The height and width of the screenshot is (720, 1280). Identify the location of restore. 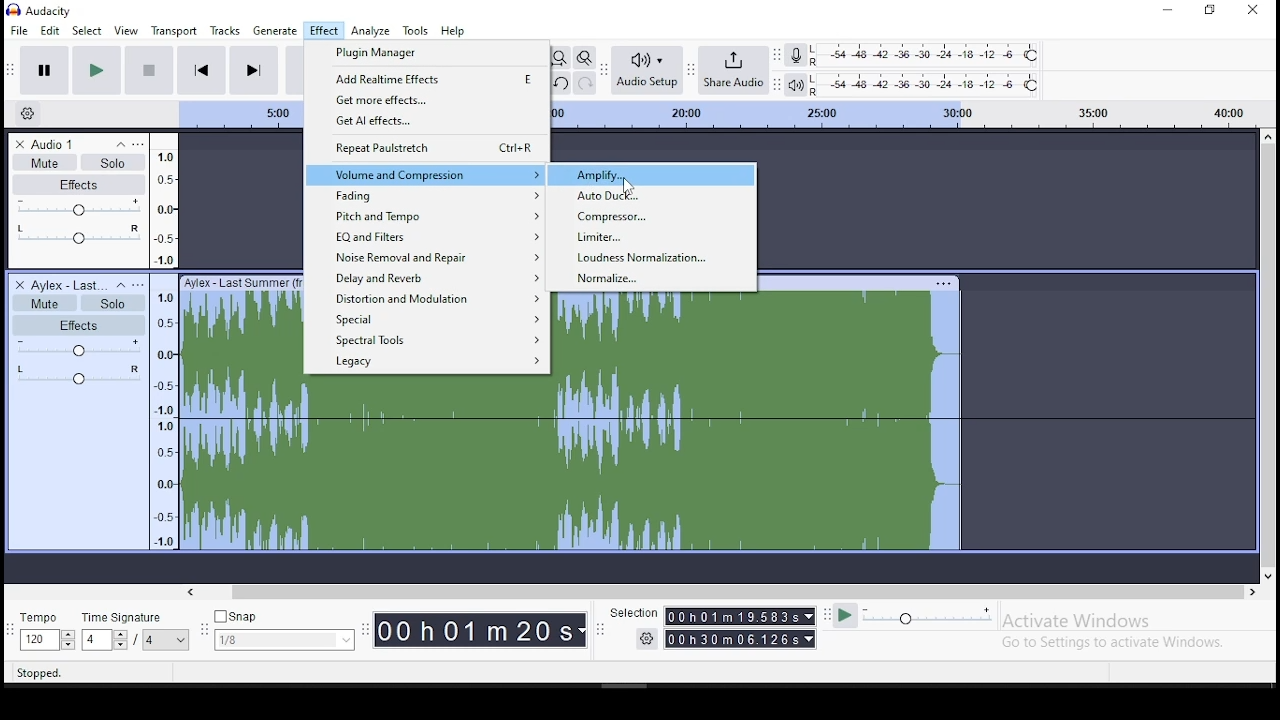
(1209, 11).